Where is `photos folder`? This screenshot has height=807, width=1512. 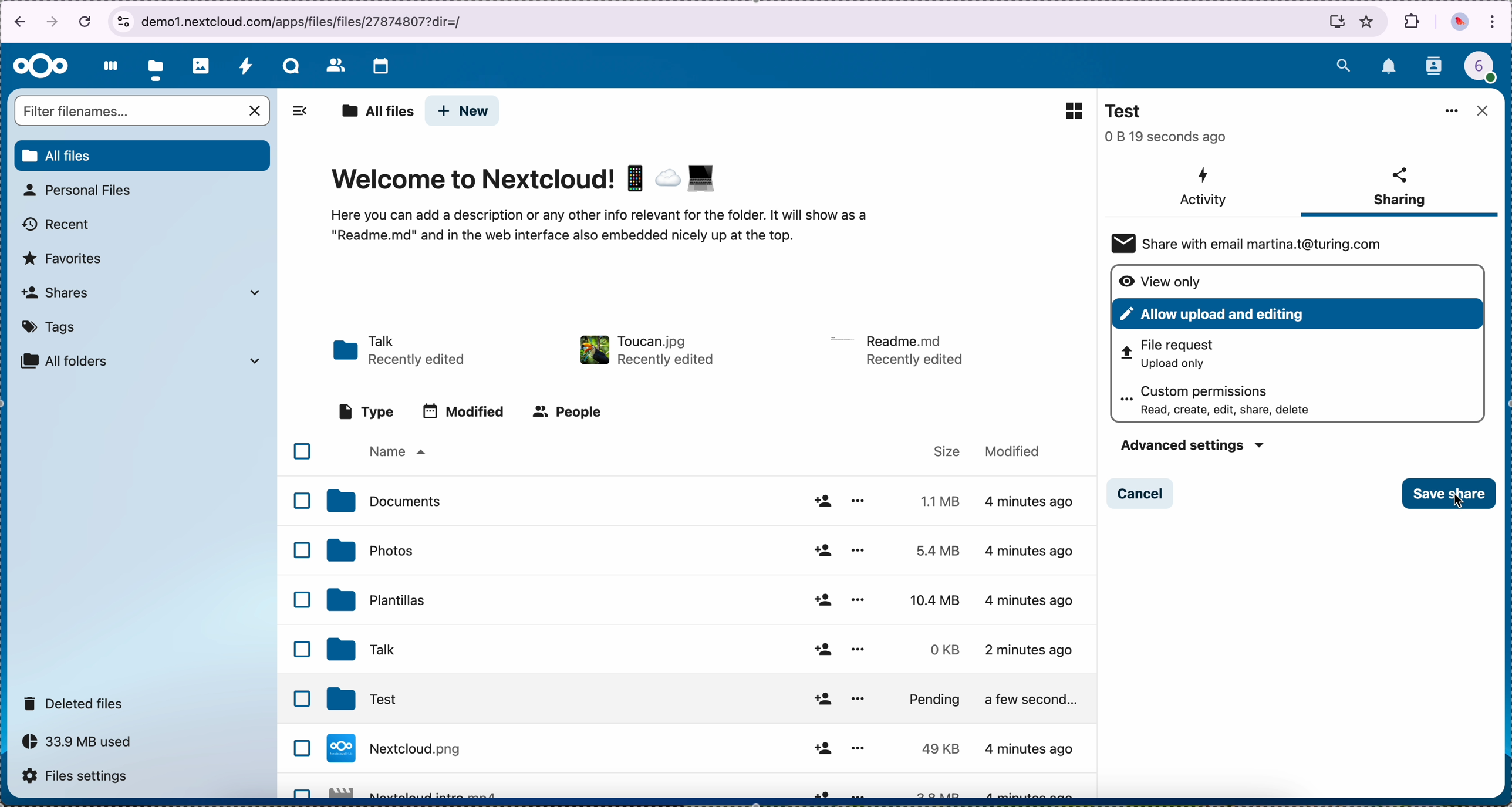
photos folder is located at coordinates (706, 551).